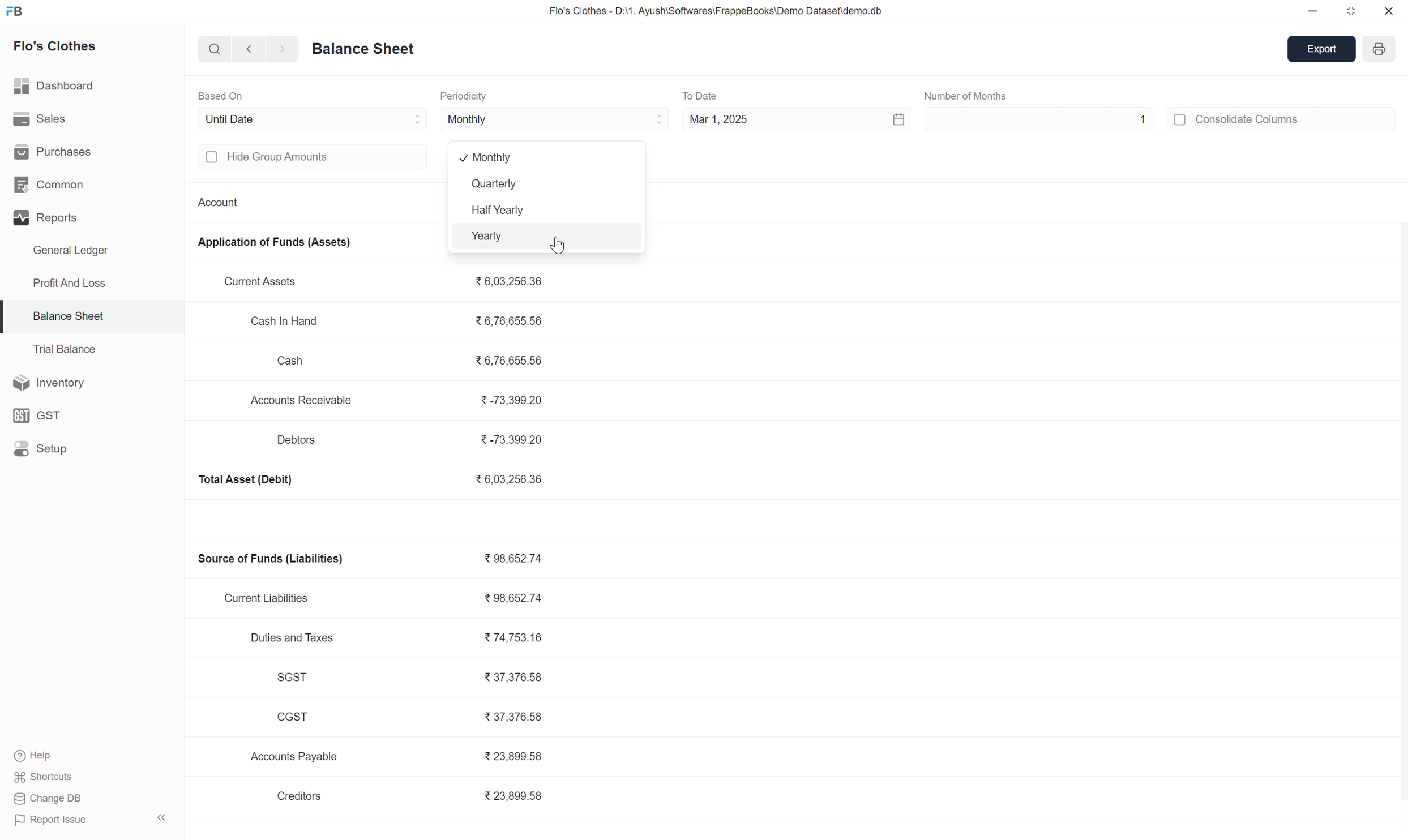 This screenshot has width=1408, height=840. Describe the element at coordinates (523, 440) in the screenshot. I see `-73,399.20` at that location.